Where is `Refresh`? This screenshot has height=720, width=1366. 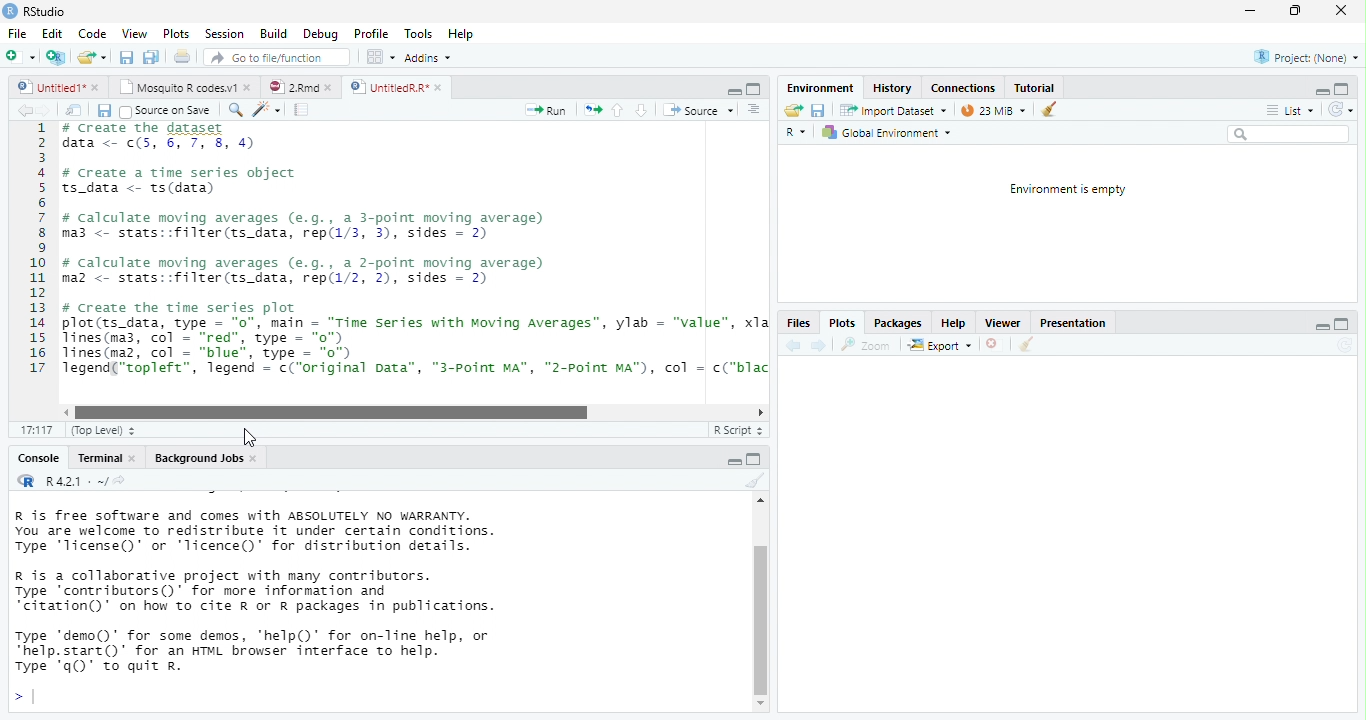 Refresh is located at coordinates (1345, 345).